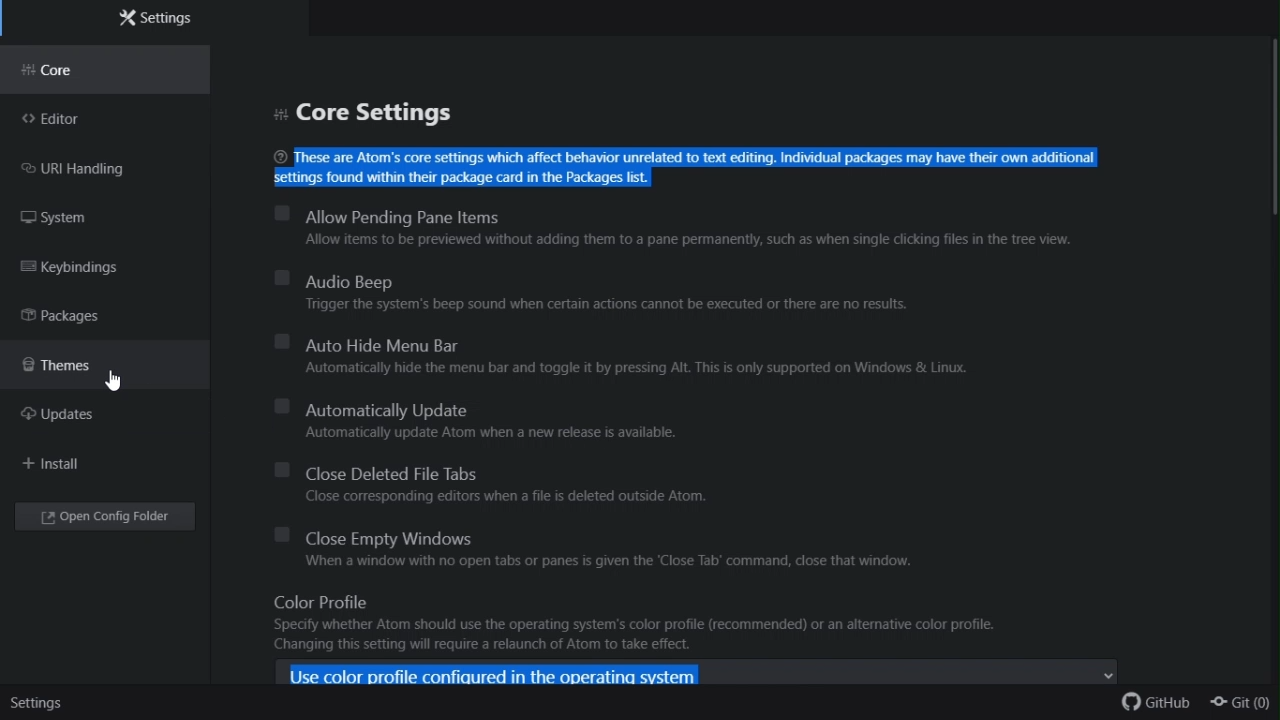 The image size is (1280, 720). Describe the element at coordinates (368, 112) in the screenshot. I see `Core setting` at that location.